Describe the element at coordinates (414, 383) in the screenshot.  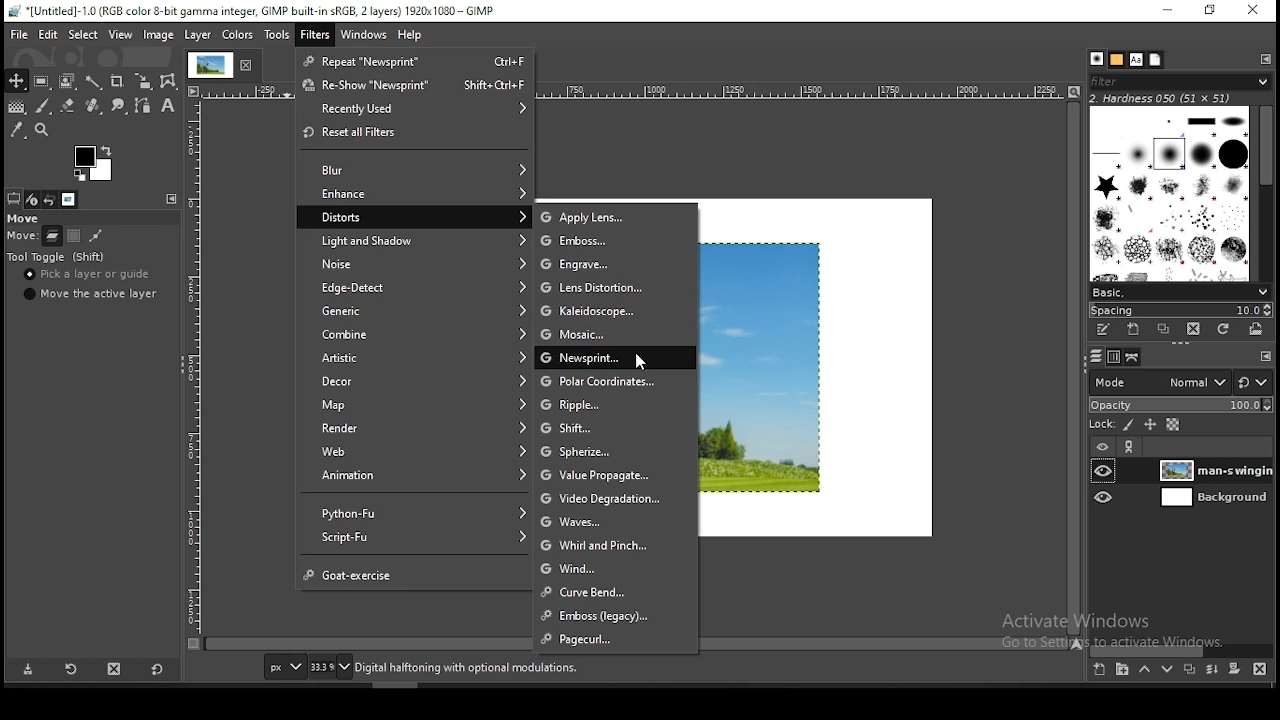
I see `decor` at that location.